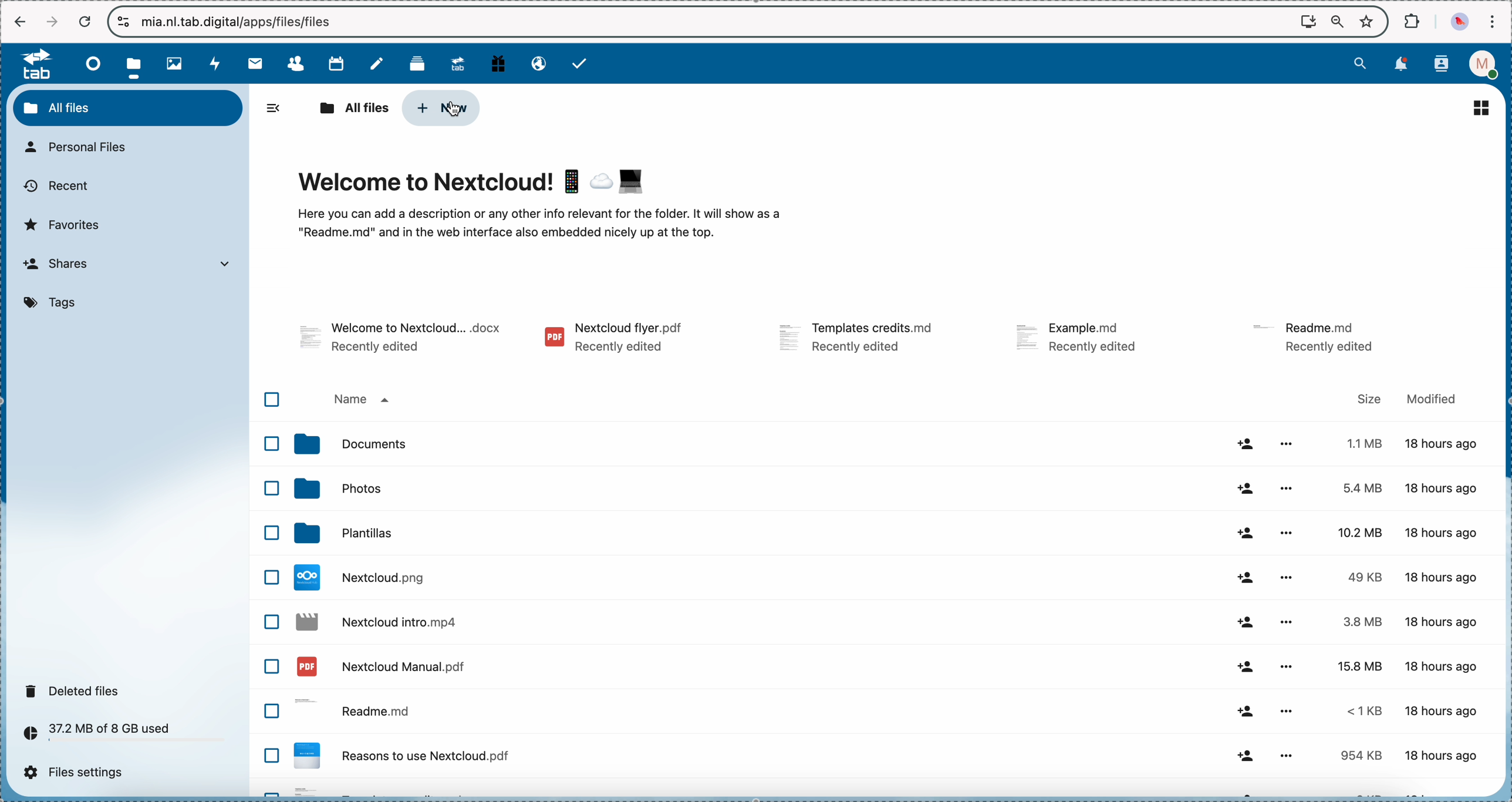 The height and width of the screenshot is (802, 1512). What do you see at coordinates (31, 63) in the screenshot?
I see `tab` at bounding box center [31, 63].